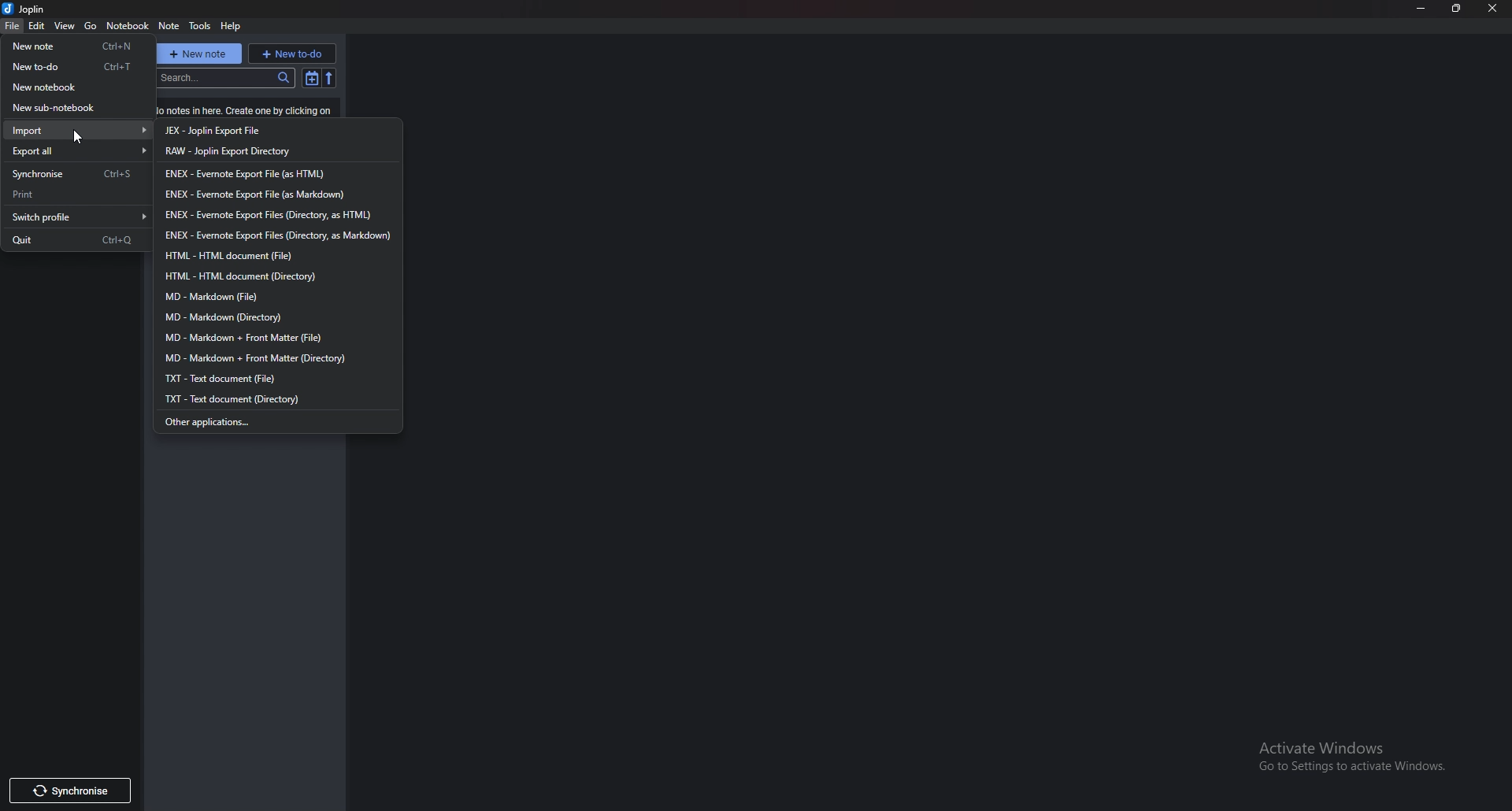 The image size is (1512, 811). What do you see at coordinates (232, 26) in the screenshot?
I see `help` at bounding box center [232, 26].